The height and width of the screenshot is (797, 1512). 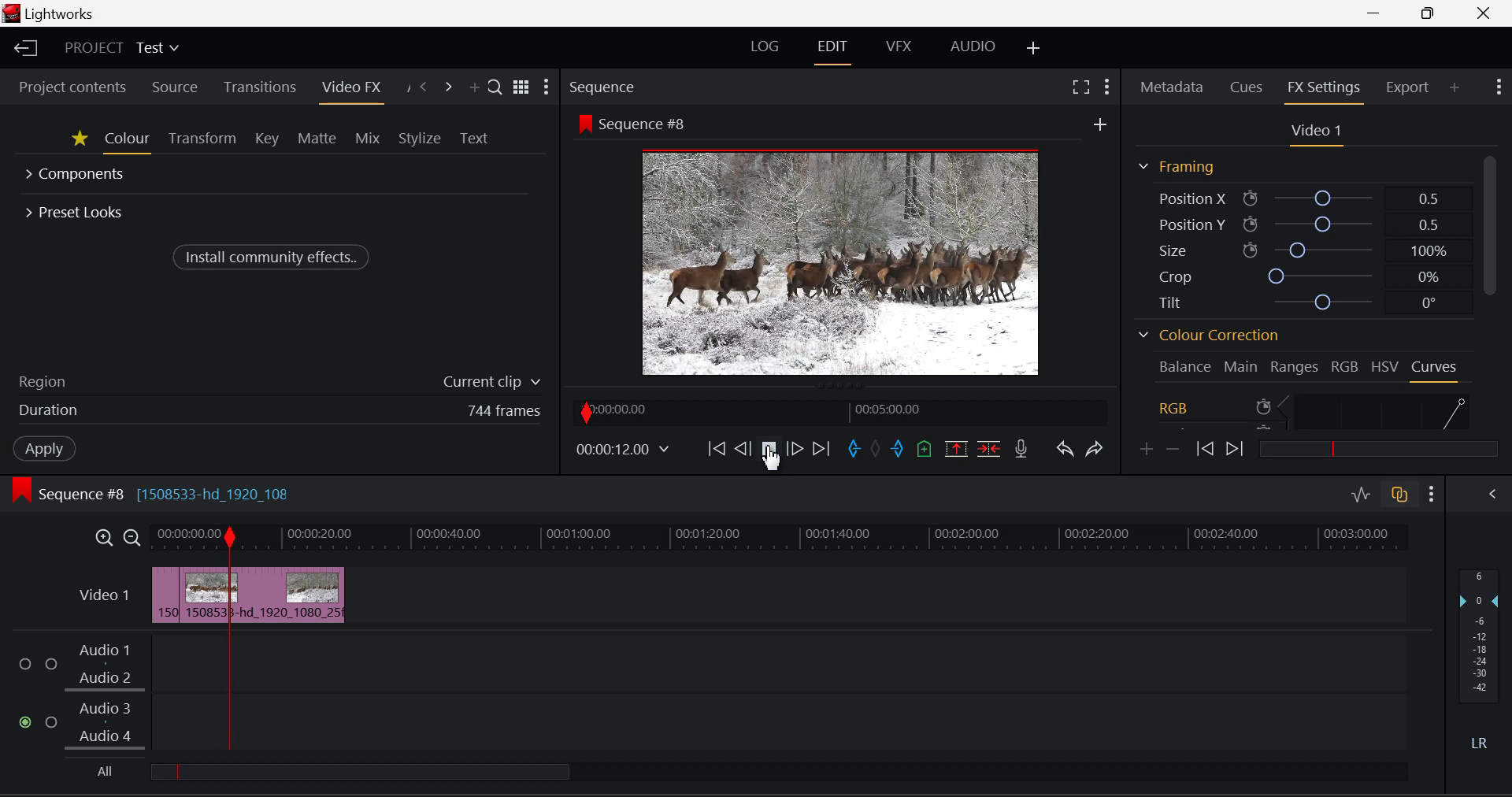 What do you see at coordinates (369, 139) in the screenshot?
I see `Mix` at bounding box center [369, 139].